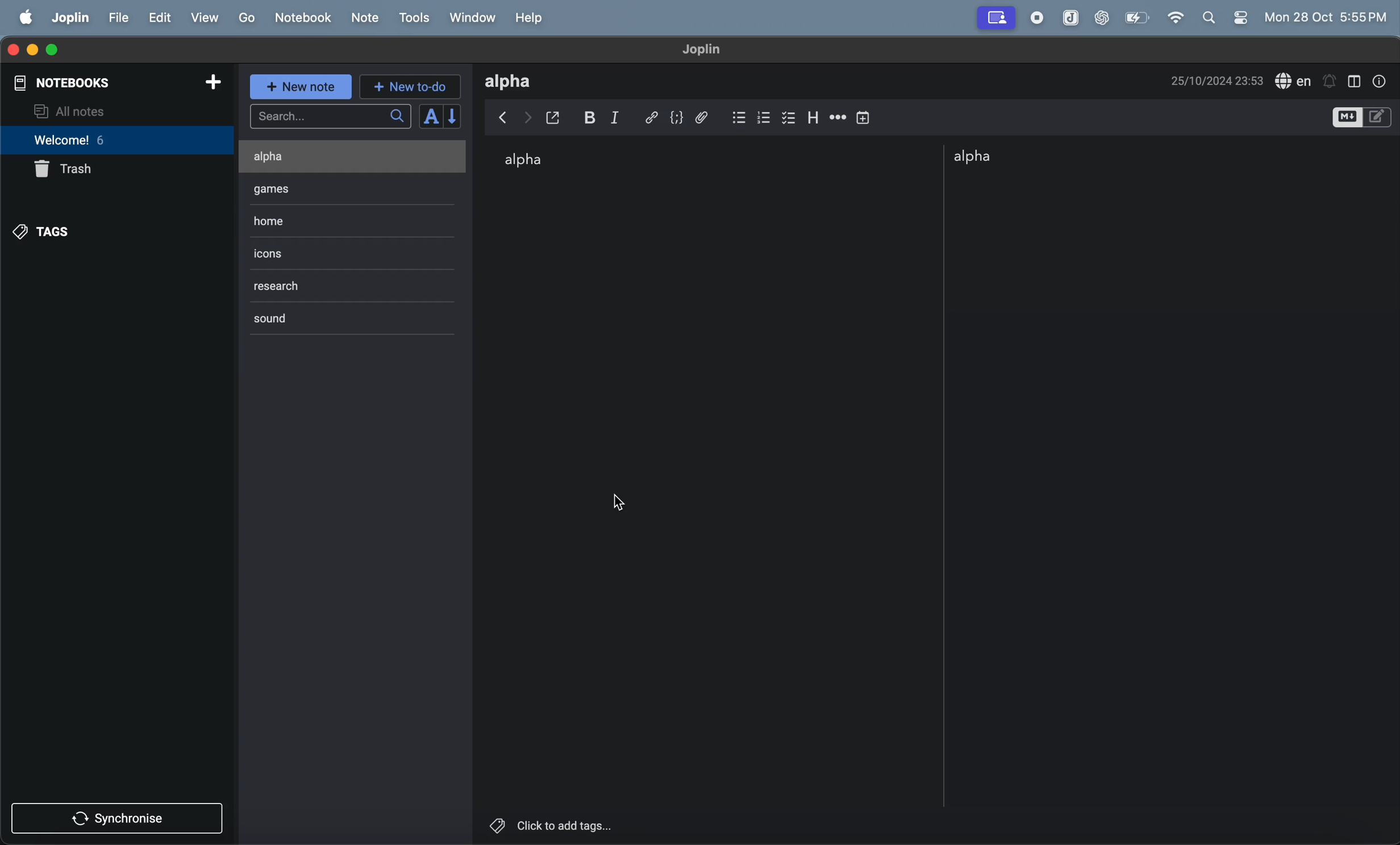 This screenshot has height=845, width=1400. I want to click on new to do, so click(408, 87).